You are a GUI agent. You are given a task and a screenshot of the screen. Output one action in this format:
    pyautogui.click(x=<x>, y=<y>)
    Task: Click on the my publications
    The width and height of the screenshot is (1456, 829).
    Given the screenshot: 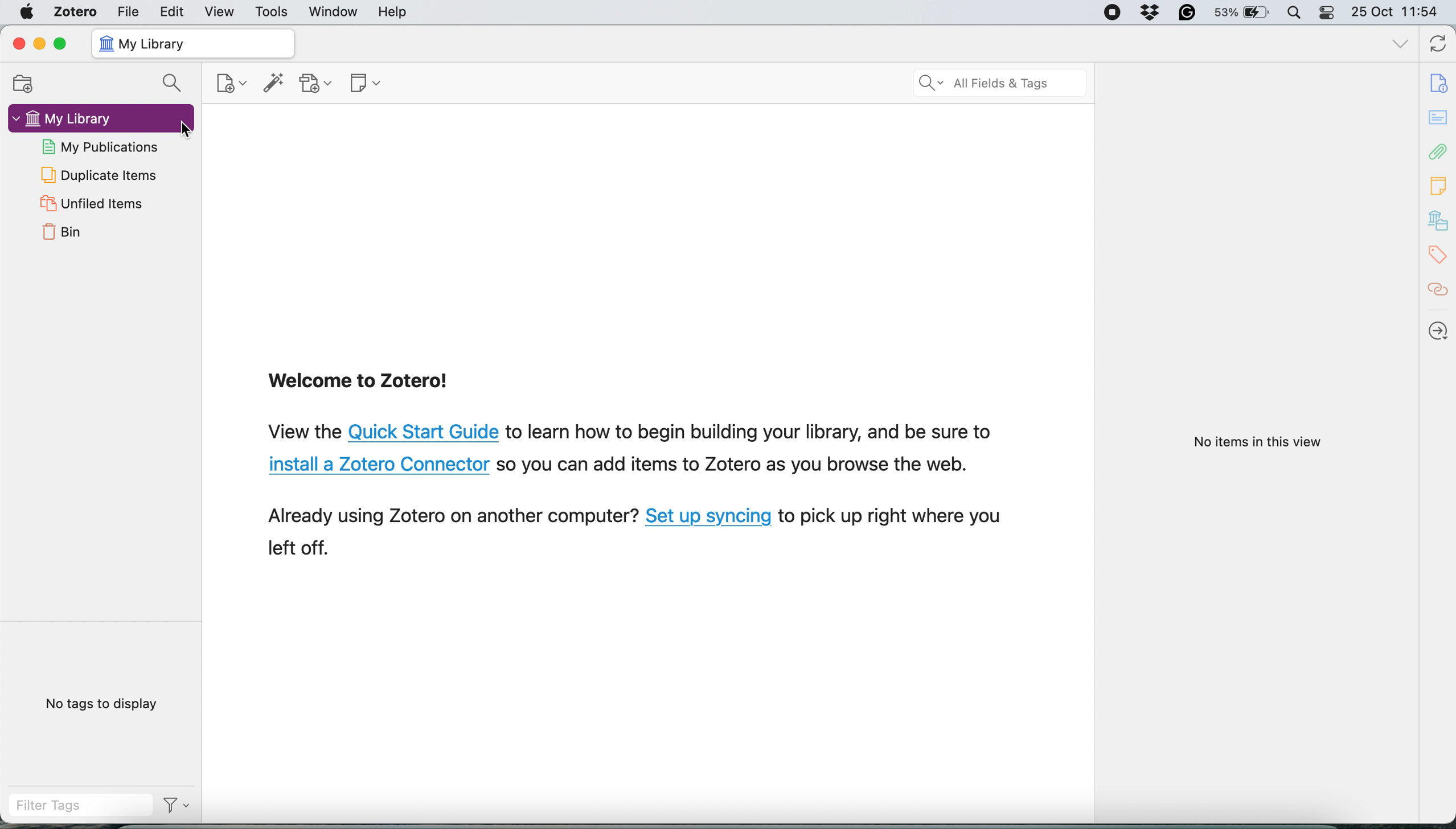 What is the action you would take?
    pyautogui.click(x=103, y=145)
    